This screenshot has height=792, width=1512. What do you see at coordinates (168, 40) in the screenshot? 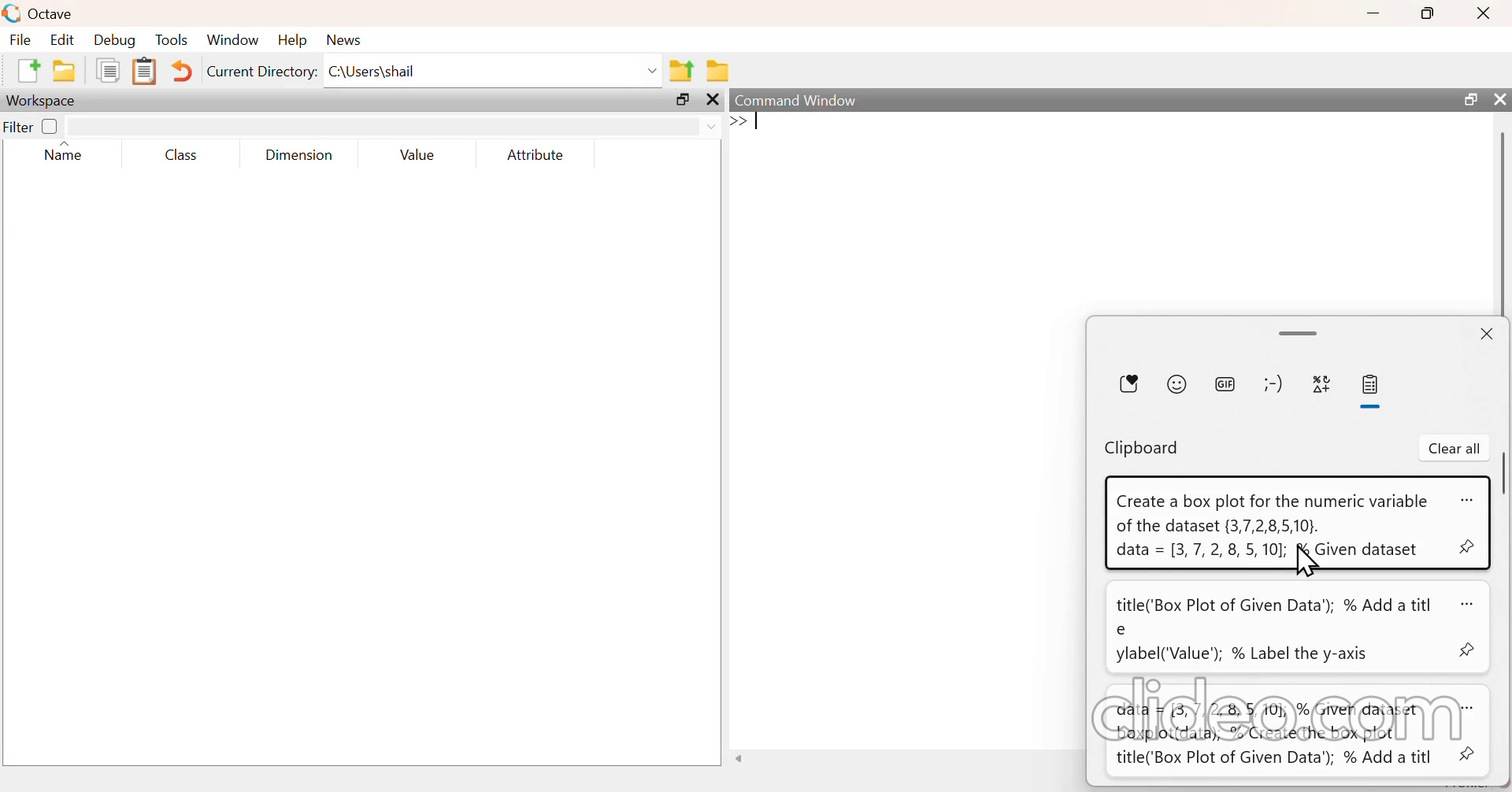
I see `tools` at bounding box center [168, 40].